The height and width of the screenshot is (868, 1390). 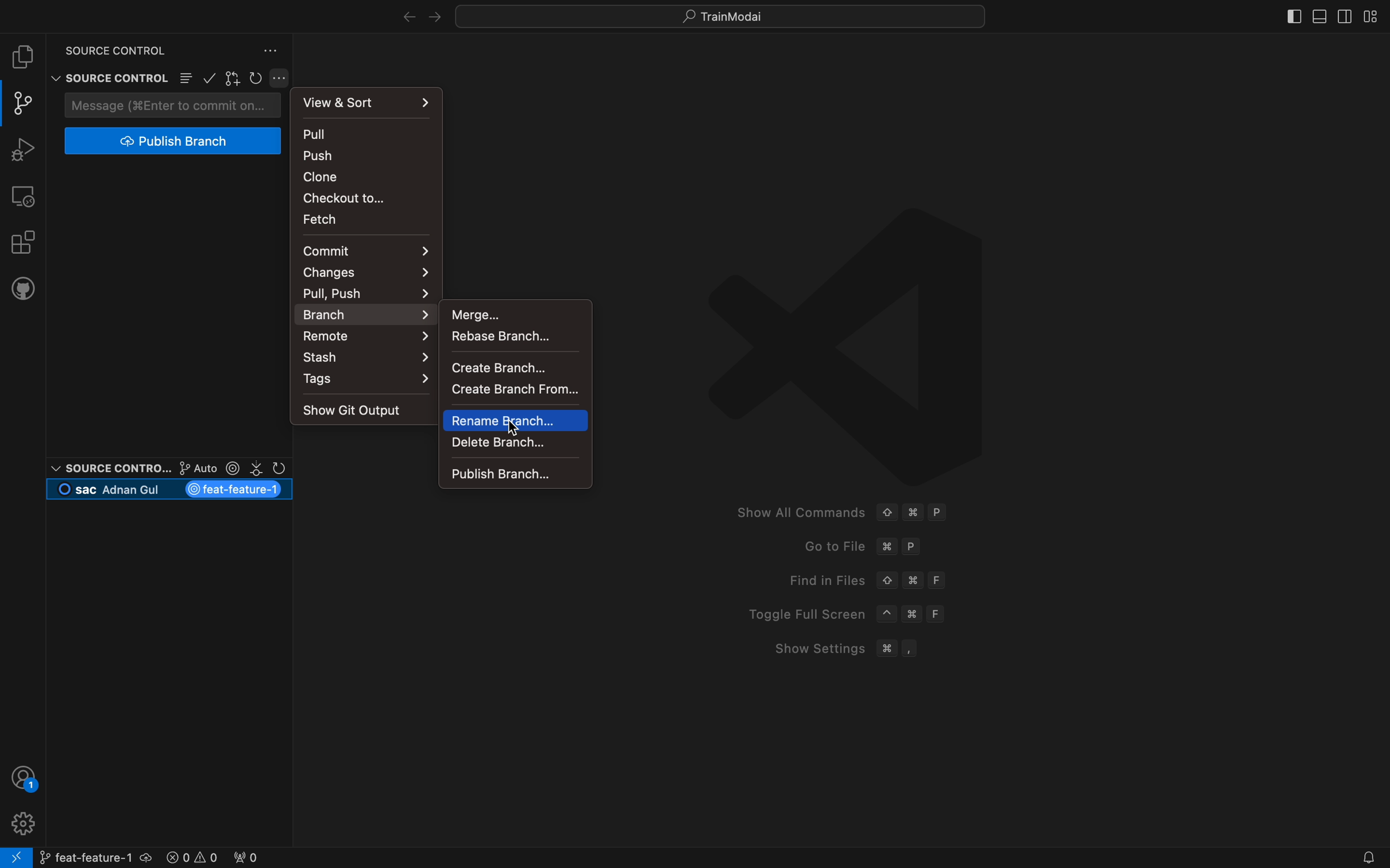 I want to click on publish, so click(x=175, y=141).